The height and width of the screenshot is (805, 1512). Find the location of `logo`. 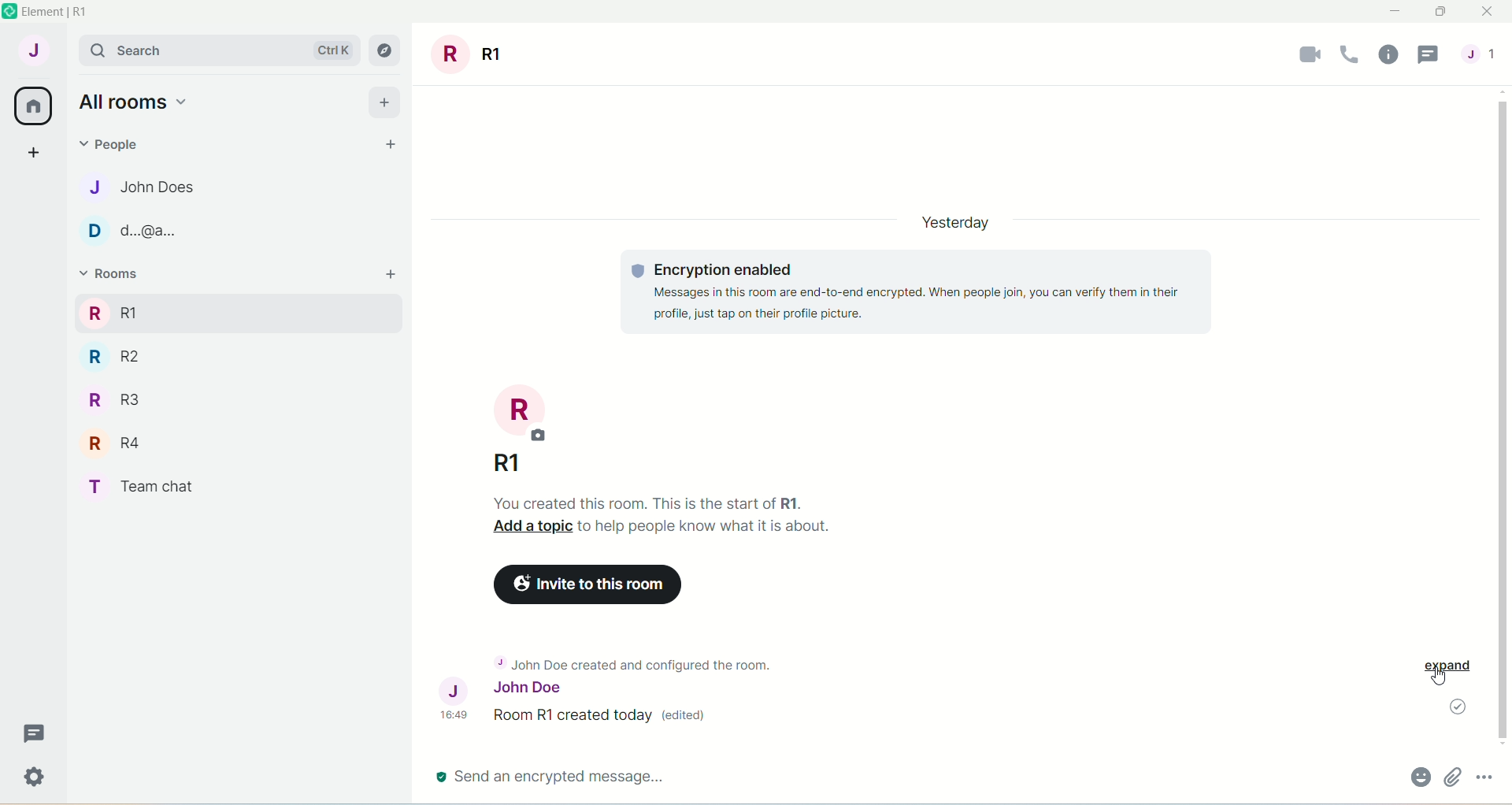

logo is located at coordinates (9, 13).